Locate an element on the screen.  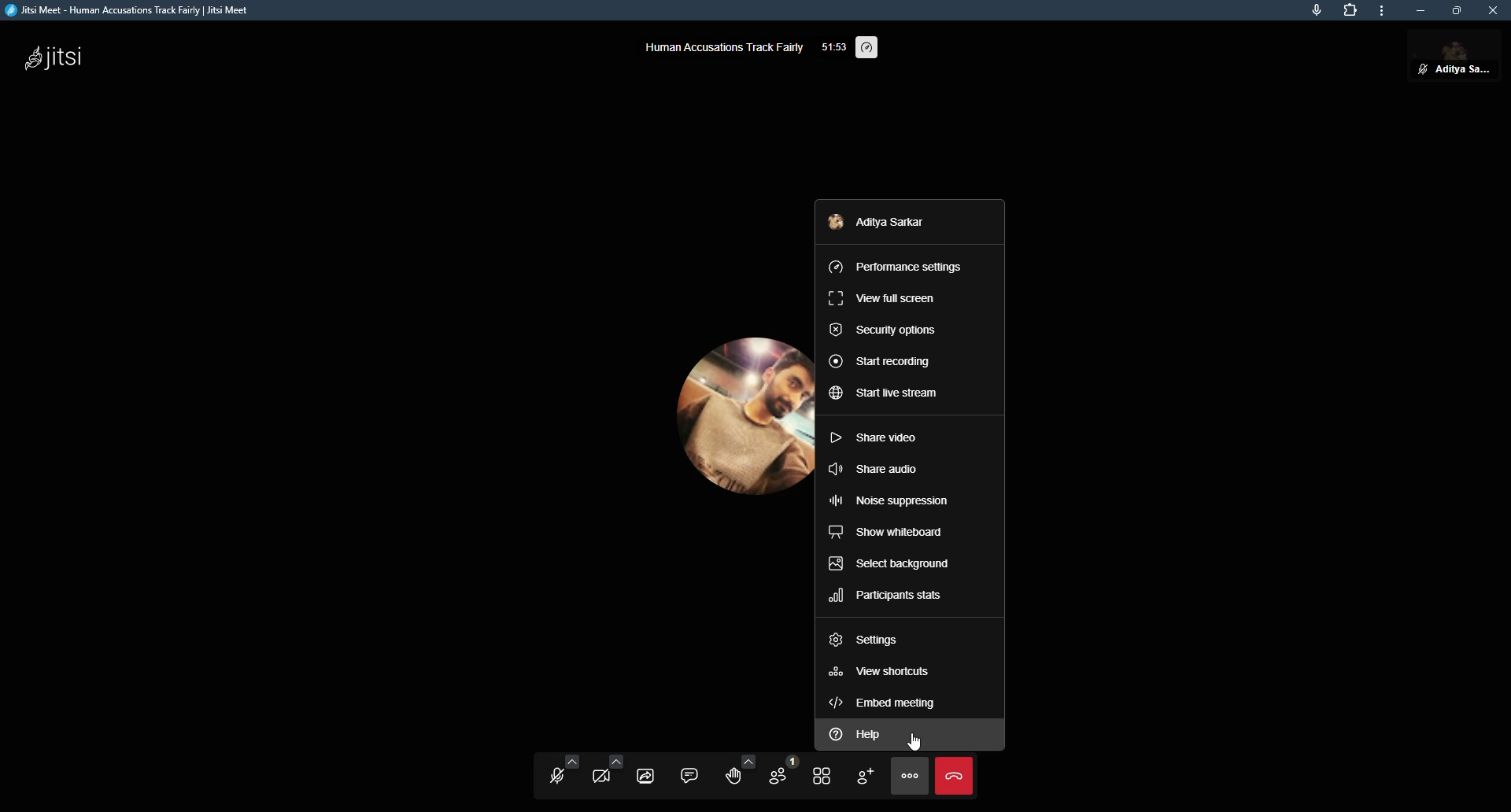
raise hand is located at coordinates (733, 774).